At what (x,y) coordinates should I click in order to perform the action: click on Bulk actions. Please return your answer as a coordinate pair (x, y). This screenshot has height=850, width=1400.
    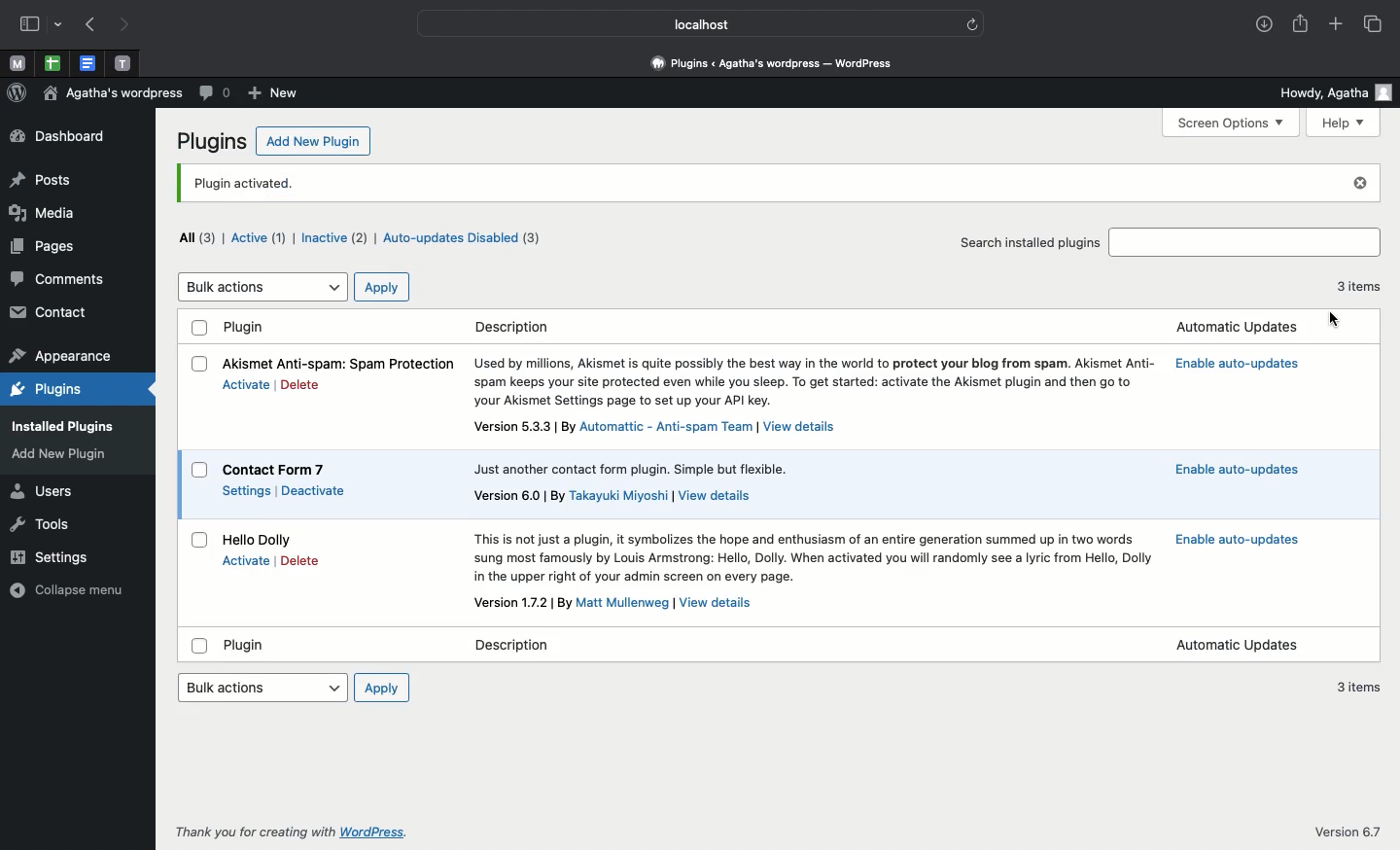
    Looking at the image, I should click on (262, 688).